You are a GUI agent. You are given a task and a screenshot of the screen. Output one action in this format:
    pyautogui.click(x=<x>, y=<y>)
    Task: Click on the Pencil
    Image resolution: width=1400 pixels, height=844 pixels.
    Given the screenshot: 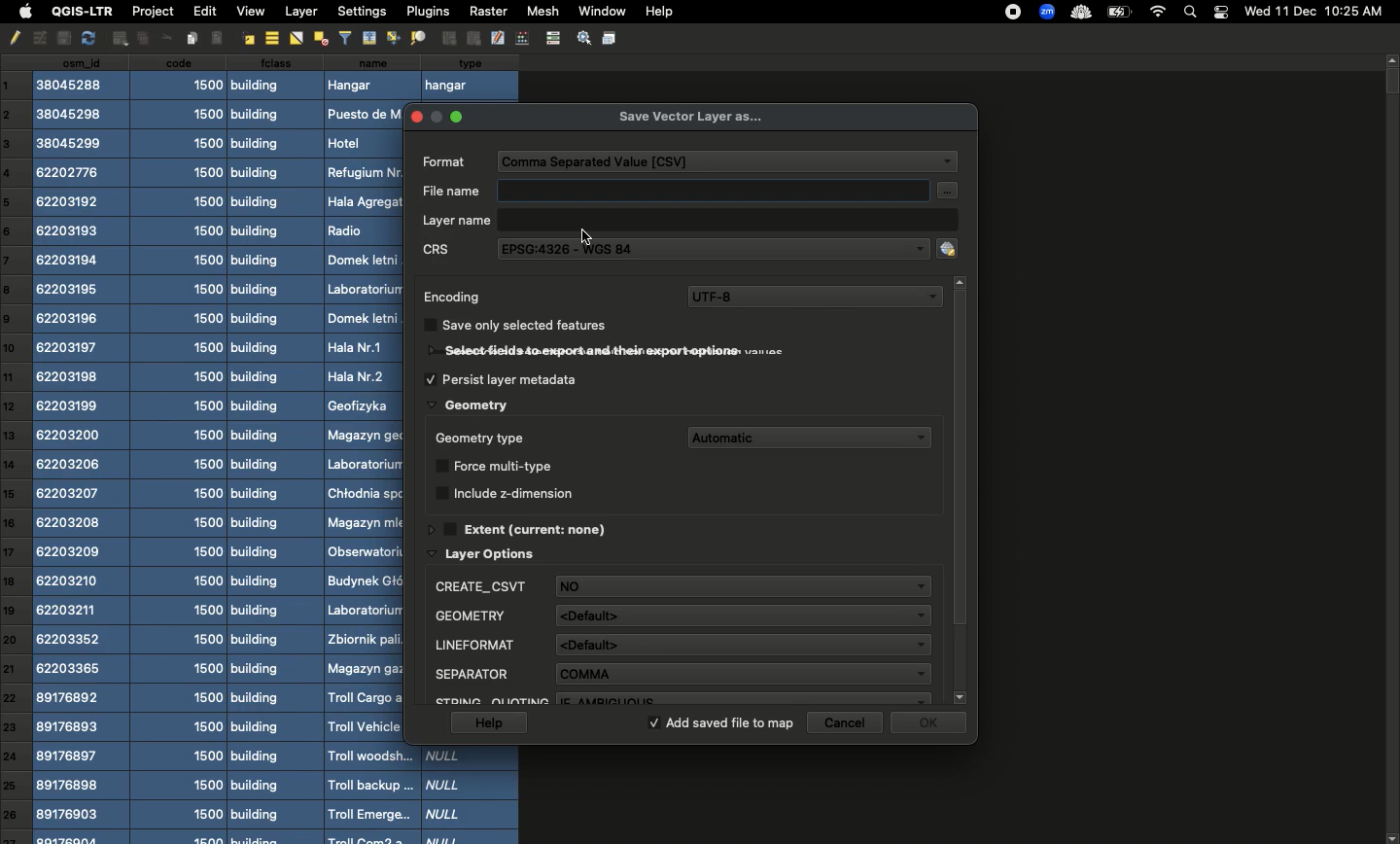 What is the action you would take?
    pyautogui.click(x=13, y=38)
    